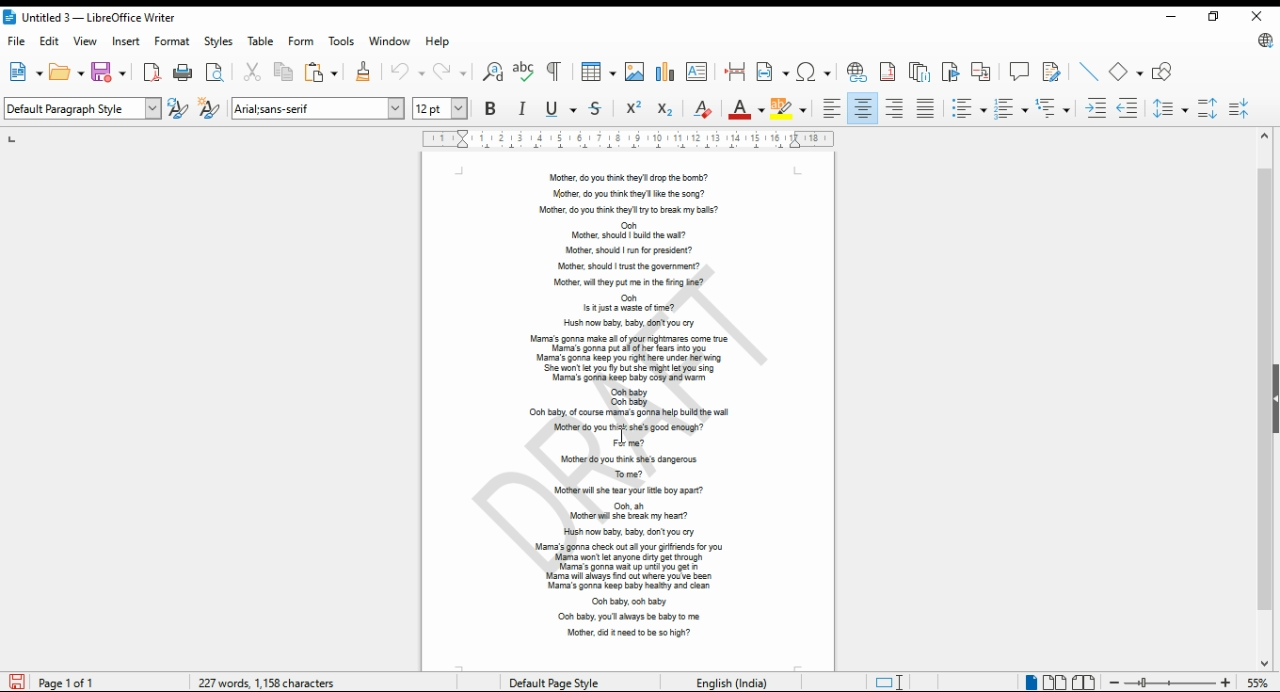  Describe the element at coordinates (66, 72) in the screenshot. I see `open` at that location.